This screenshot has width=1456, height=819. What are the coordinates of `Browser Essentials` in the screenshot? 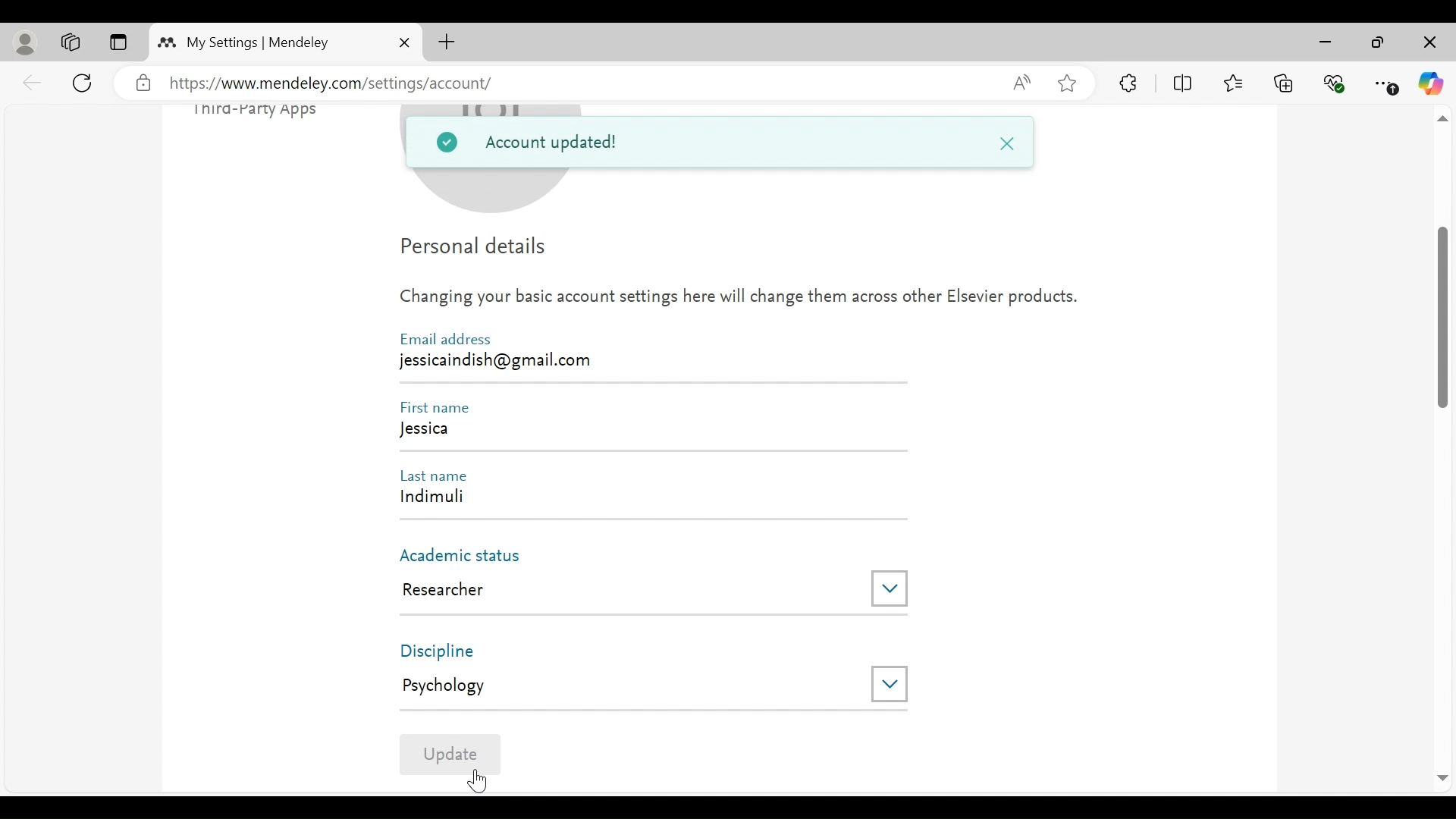 It's located at (1335, 82).